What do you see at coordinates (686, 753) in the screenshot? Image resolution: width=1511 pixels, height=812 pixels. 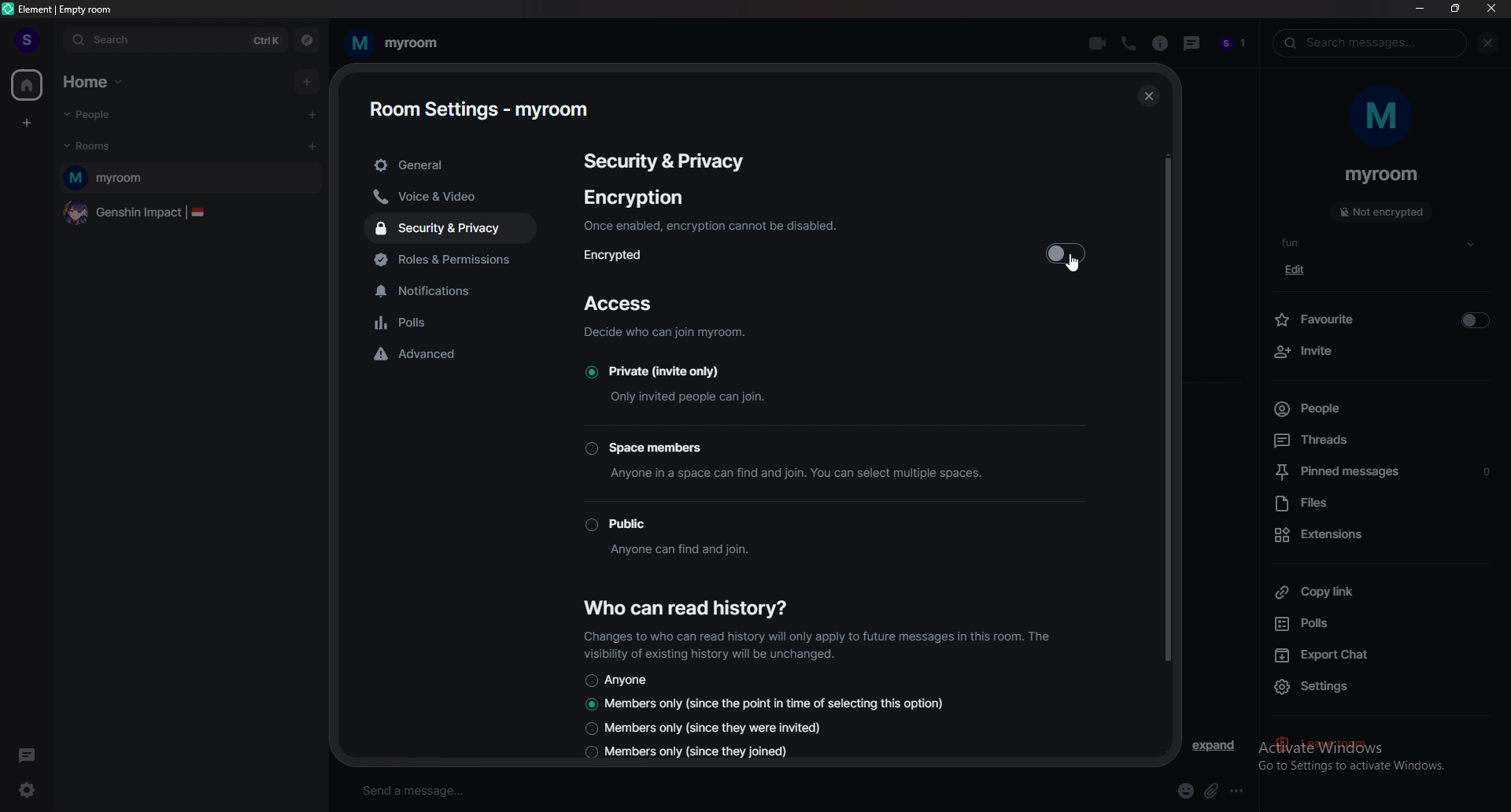 I see ` Members only (since they joined)` at bounding box center [686, 753].